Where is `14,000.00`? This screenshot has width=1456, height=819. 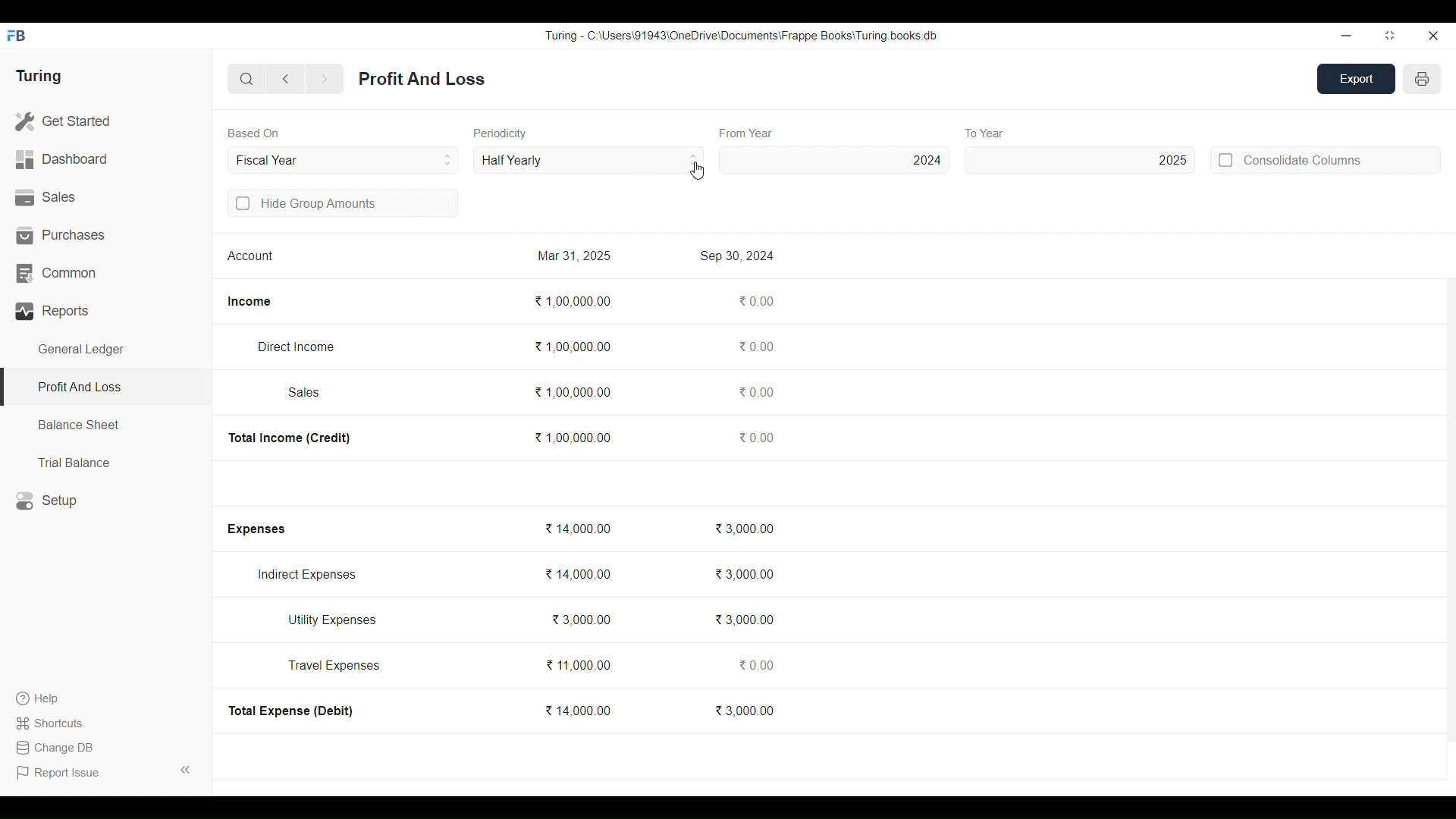 14,000.00 is located at coordinates (576, 529).